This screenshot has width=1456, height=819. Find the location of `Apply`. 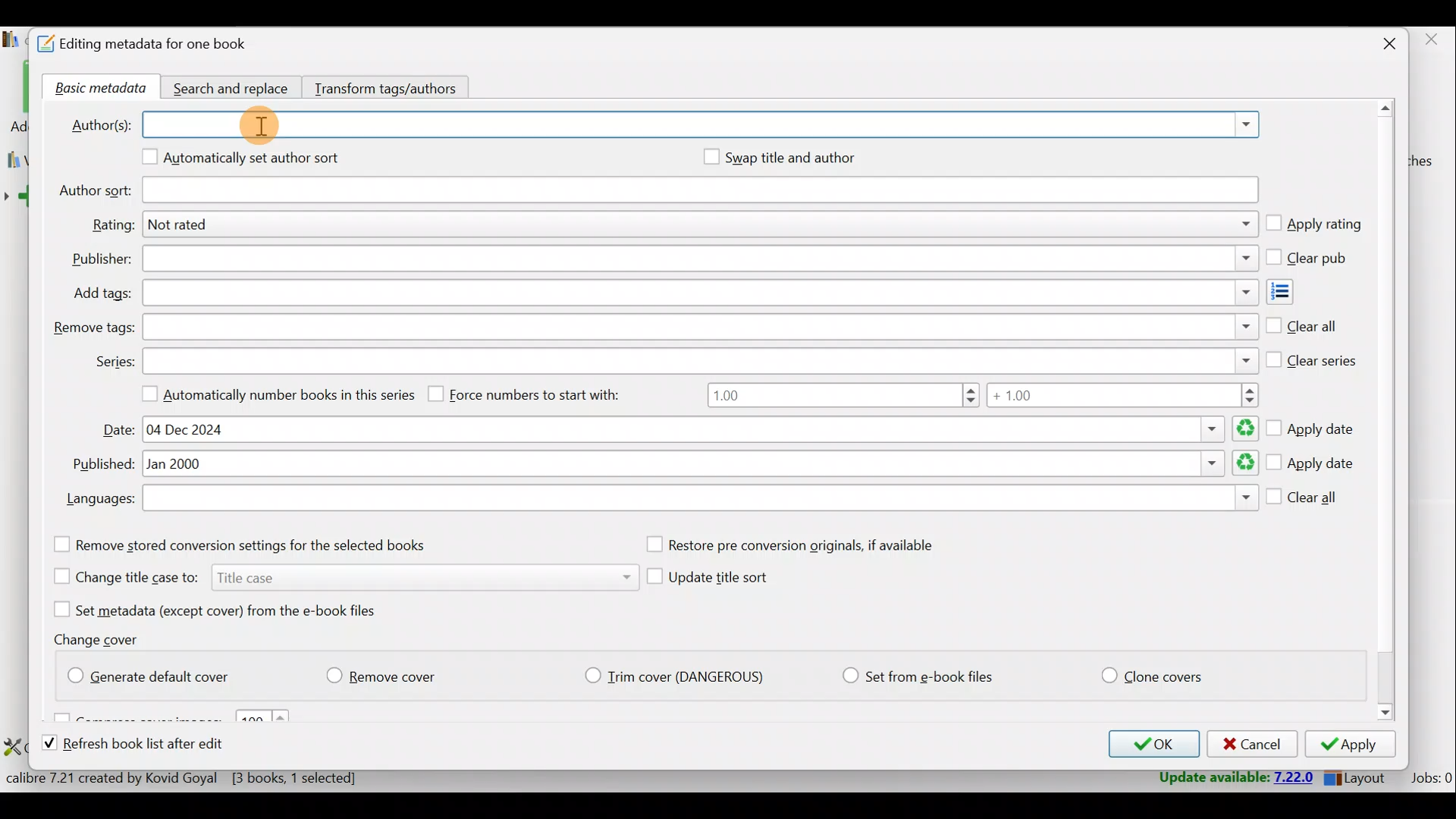

Apply is located at coordinates (1355, 746).